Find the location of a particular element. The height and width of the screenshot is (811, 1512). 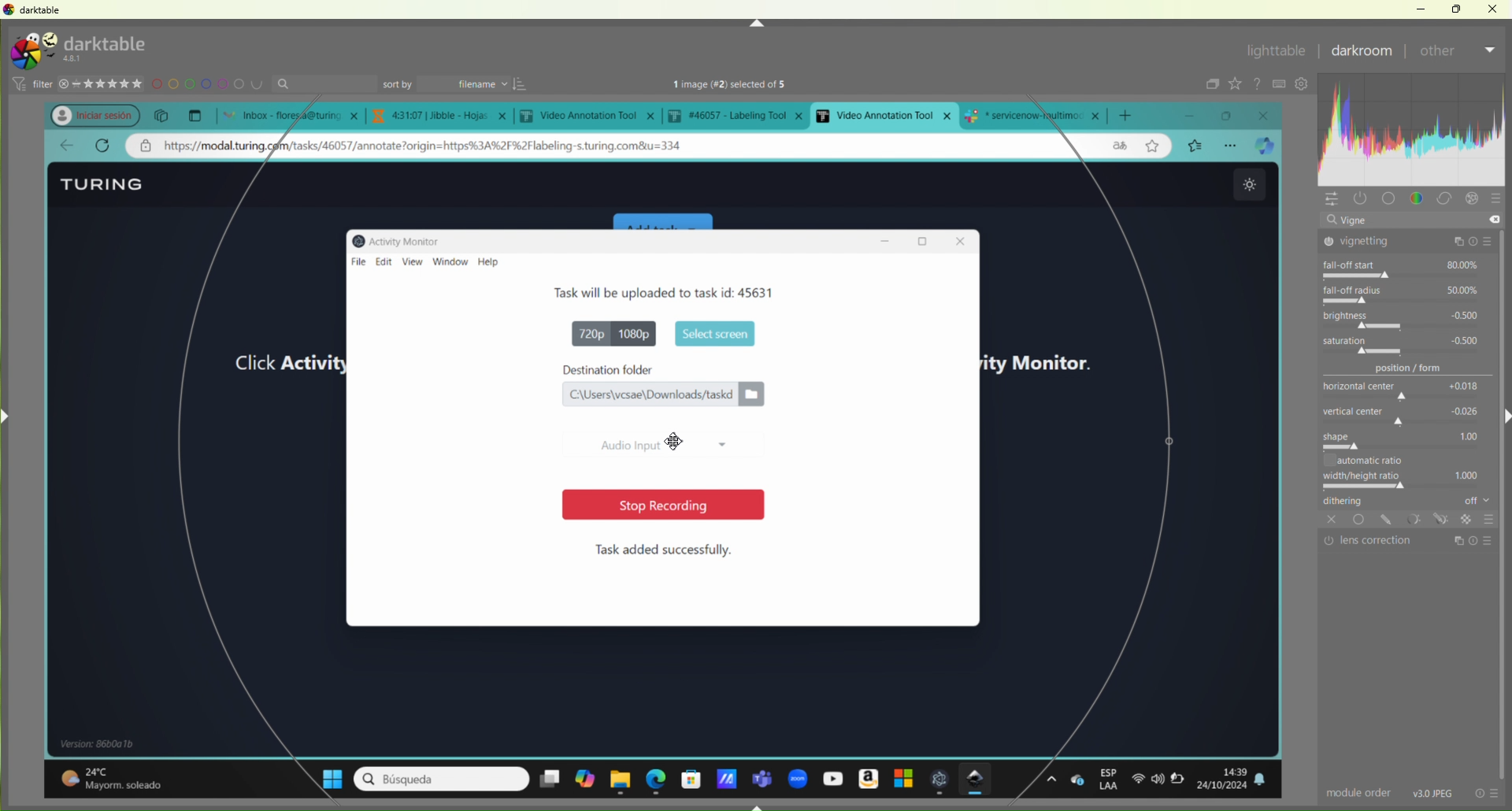

vigne is located at coordinates (1409, 220).